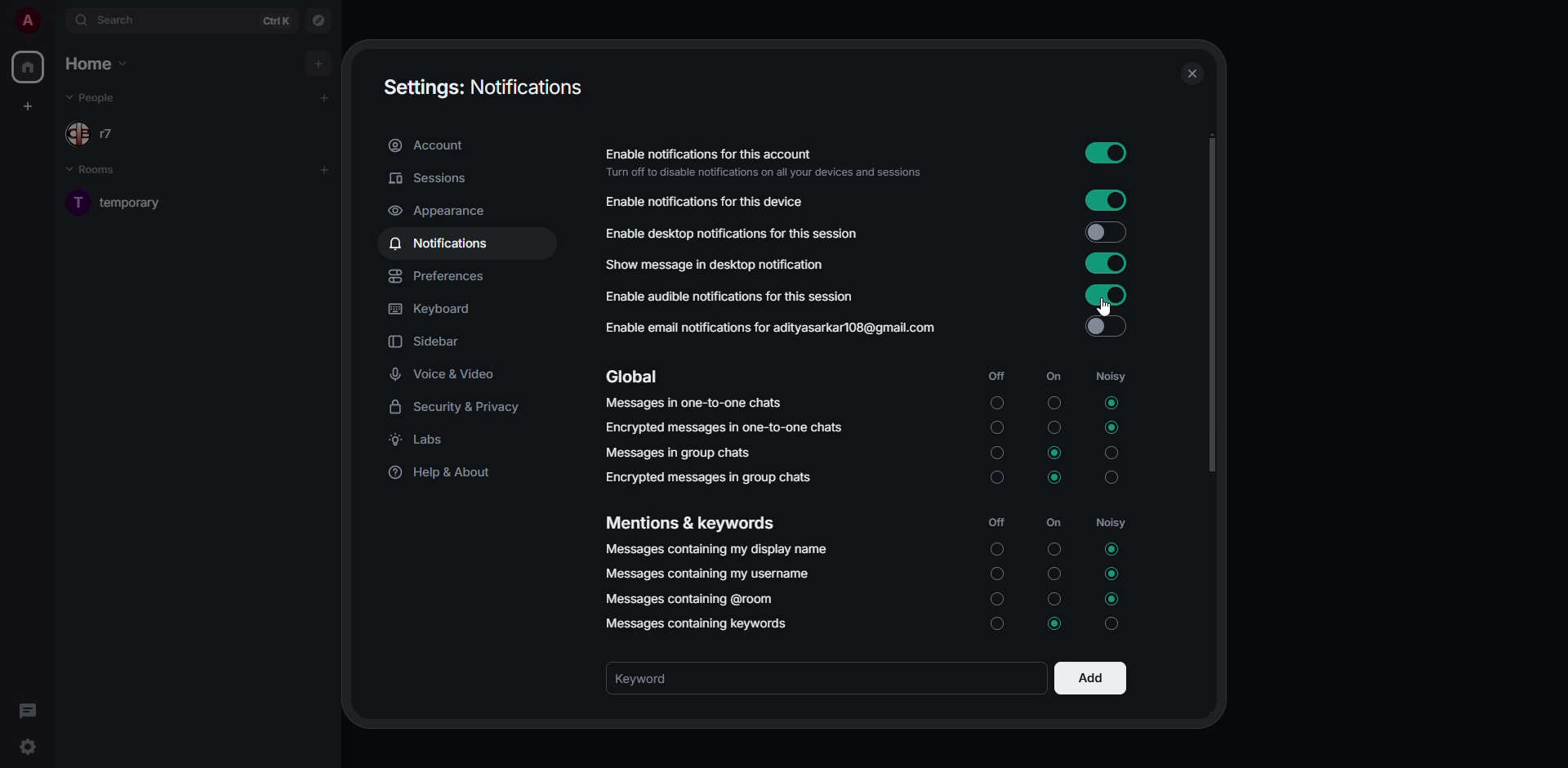 The image size is (1568, 768). Describe the element at coordinates (1104, 328) in the screenshot. I see `click to enable` at that location.